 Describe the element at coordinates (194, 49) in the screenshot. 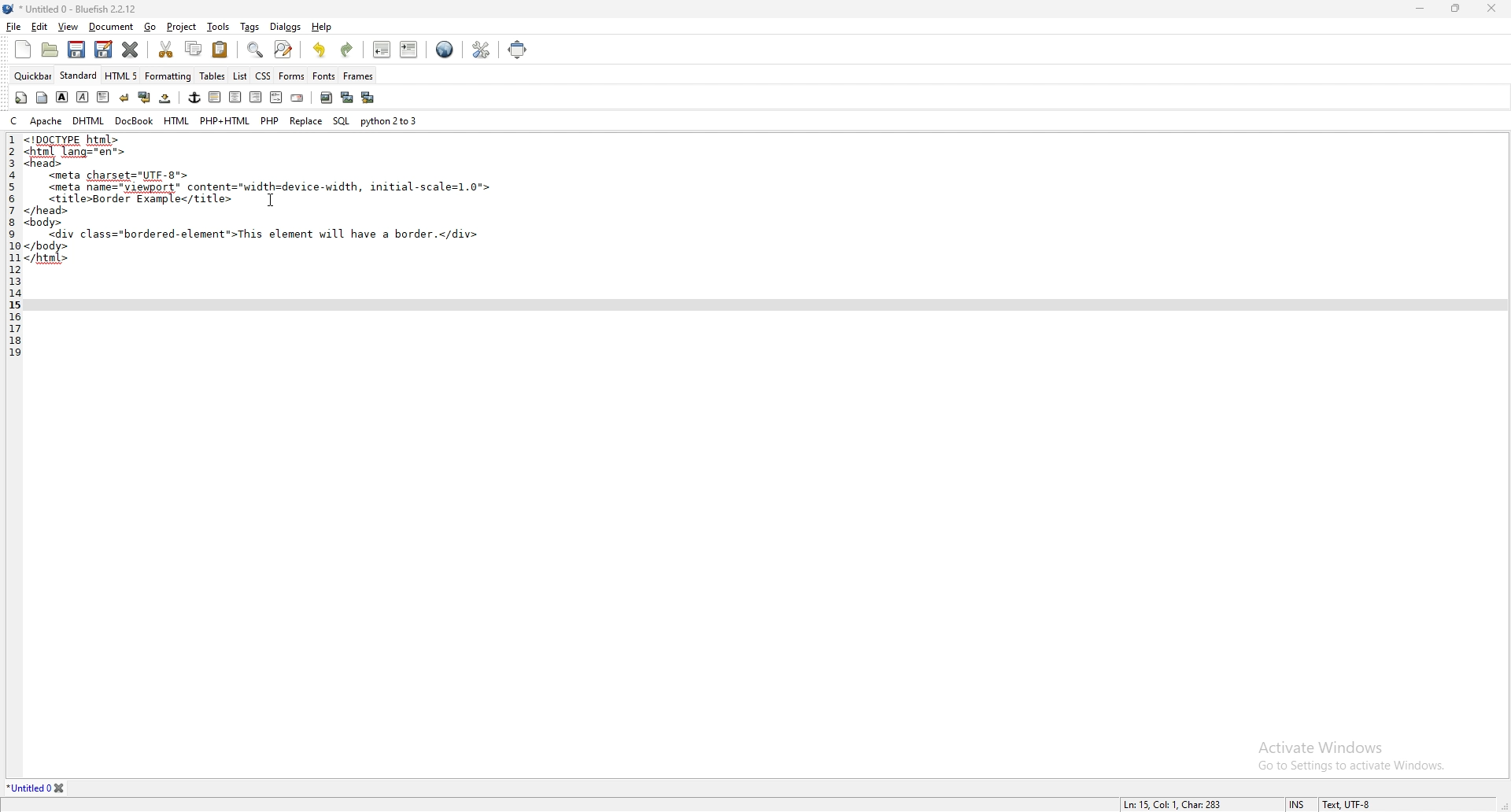

I see `copy` at that location.